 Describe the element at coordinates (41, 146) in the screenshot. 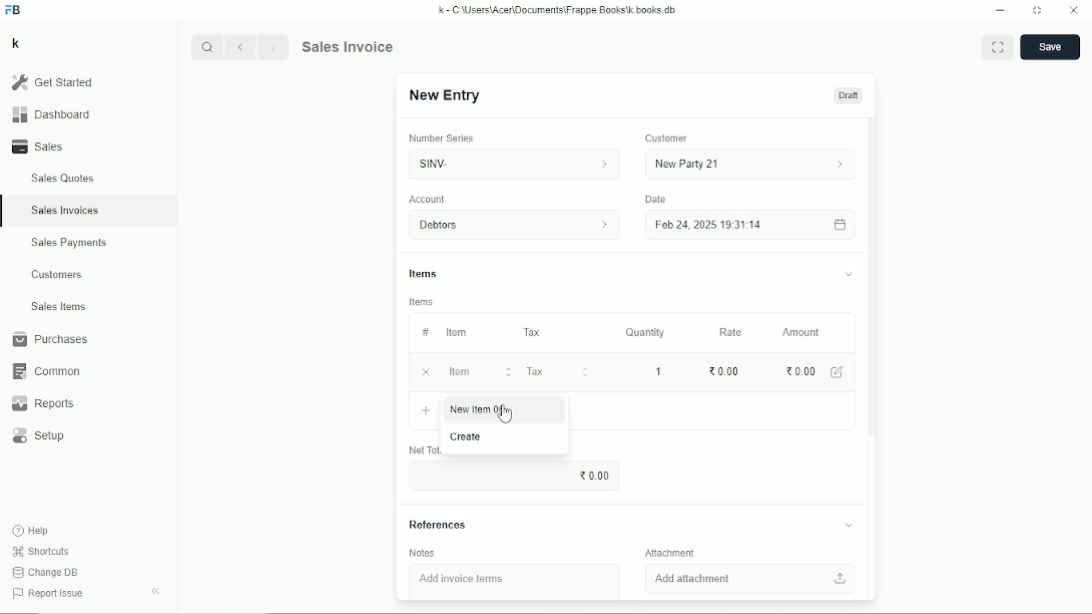

I see `Sales` at that location.